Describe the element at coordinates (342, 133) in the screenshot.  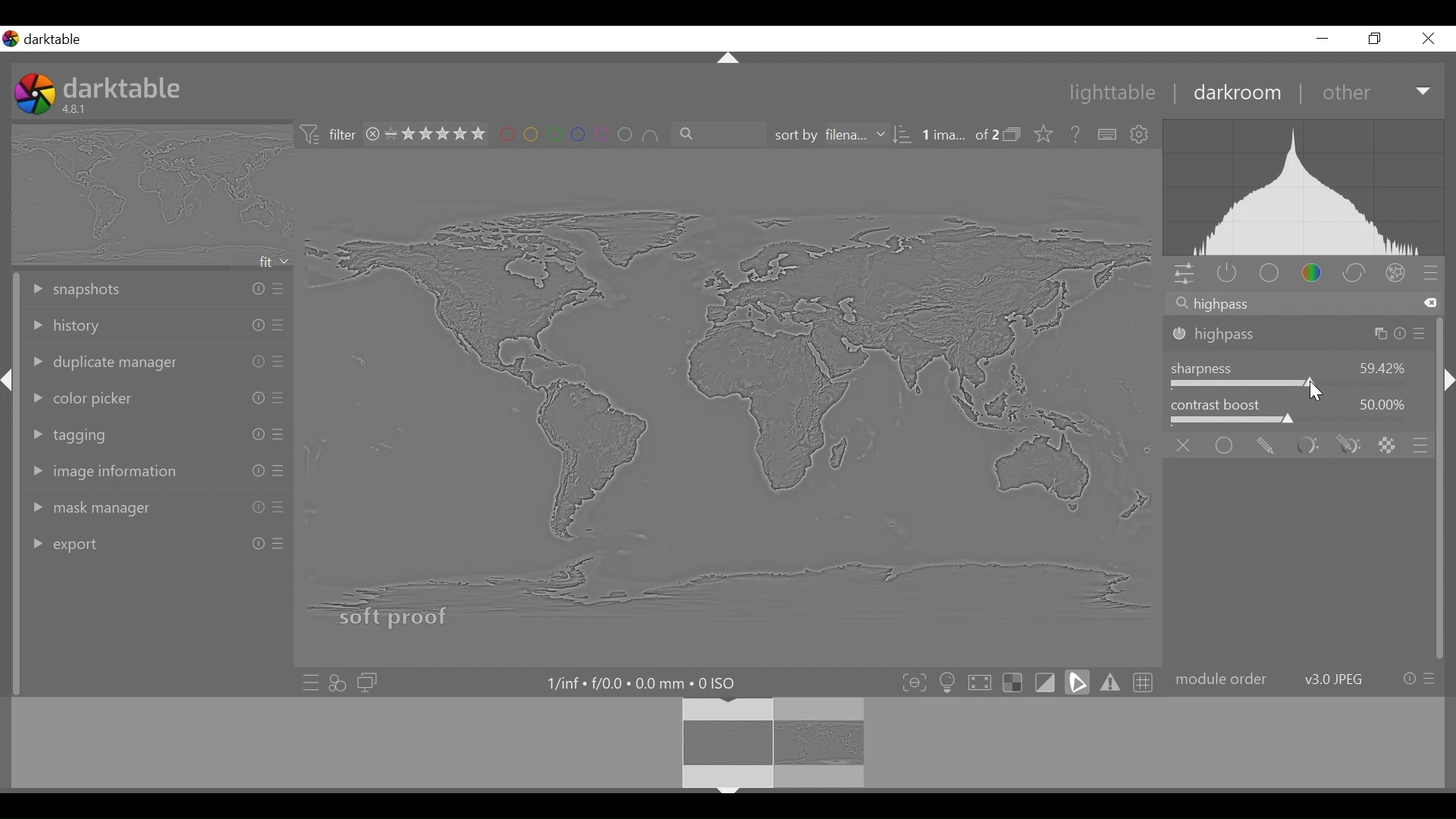
I see `filter` at that location.